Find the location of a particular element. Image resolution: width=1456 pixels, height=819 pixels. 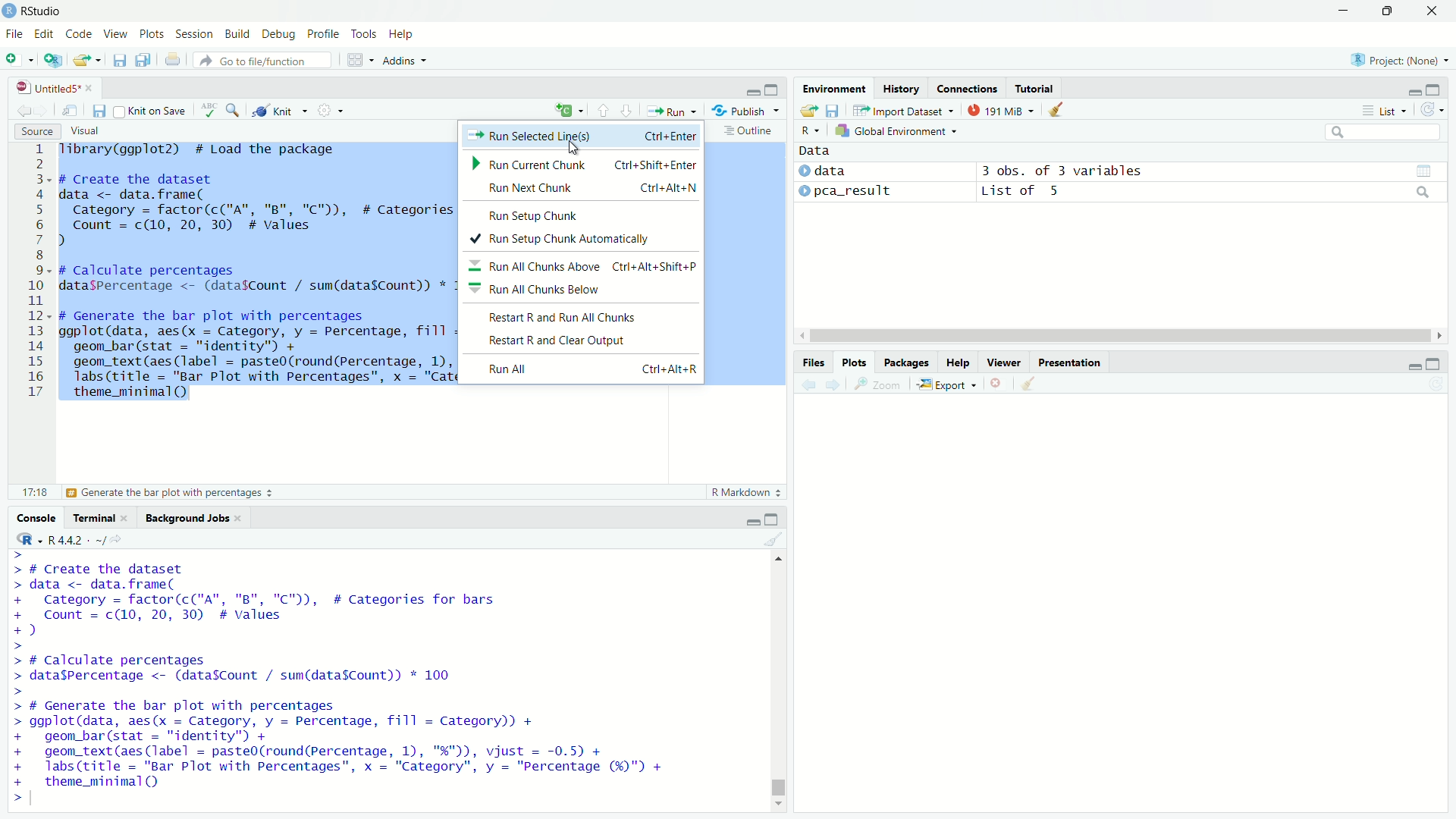

source is located at coordinates (36, 130).